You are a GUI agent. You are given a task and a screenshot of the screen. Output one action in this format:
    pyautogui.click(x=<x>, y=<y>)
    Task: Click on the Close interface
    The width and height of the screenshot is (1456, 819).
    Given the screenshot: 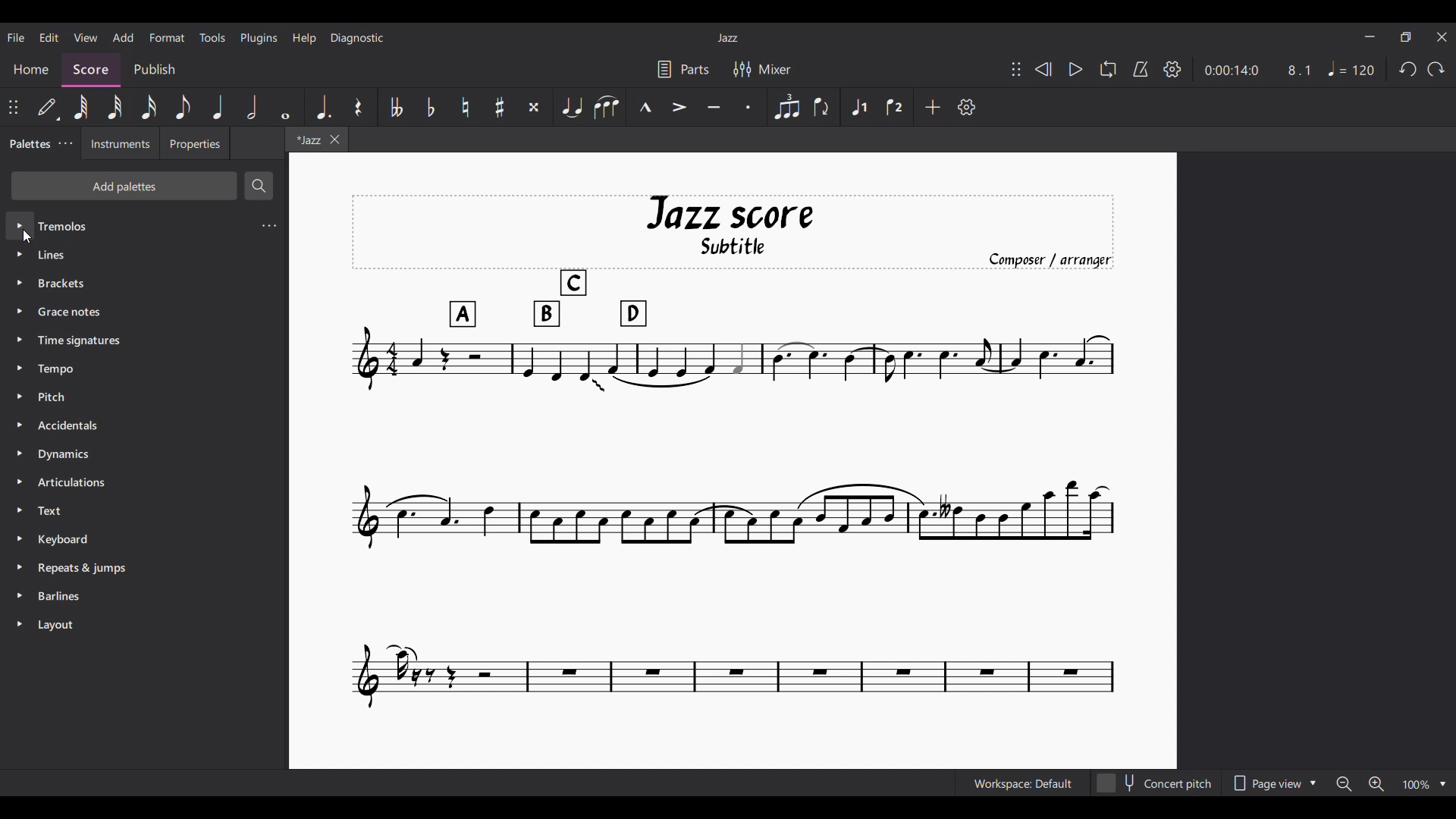 What is the action you would take?
    pyautogui.click(x=1442, y=36)
    